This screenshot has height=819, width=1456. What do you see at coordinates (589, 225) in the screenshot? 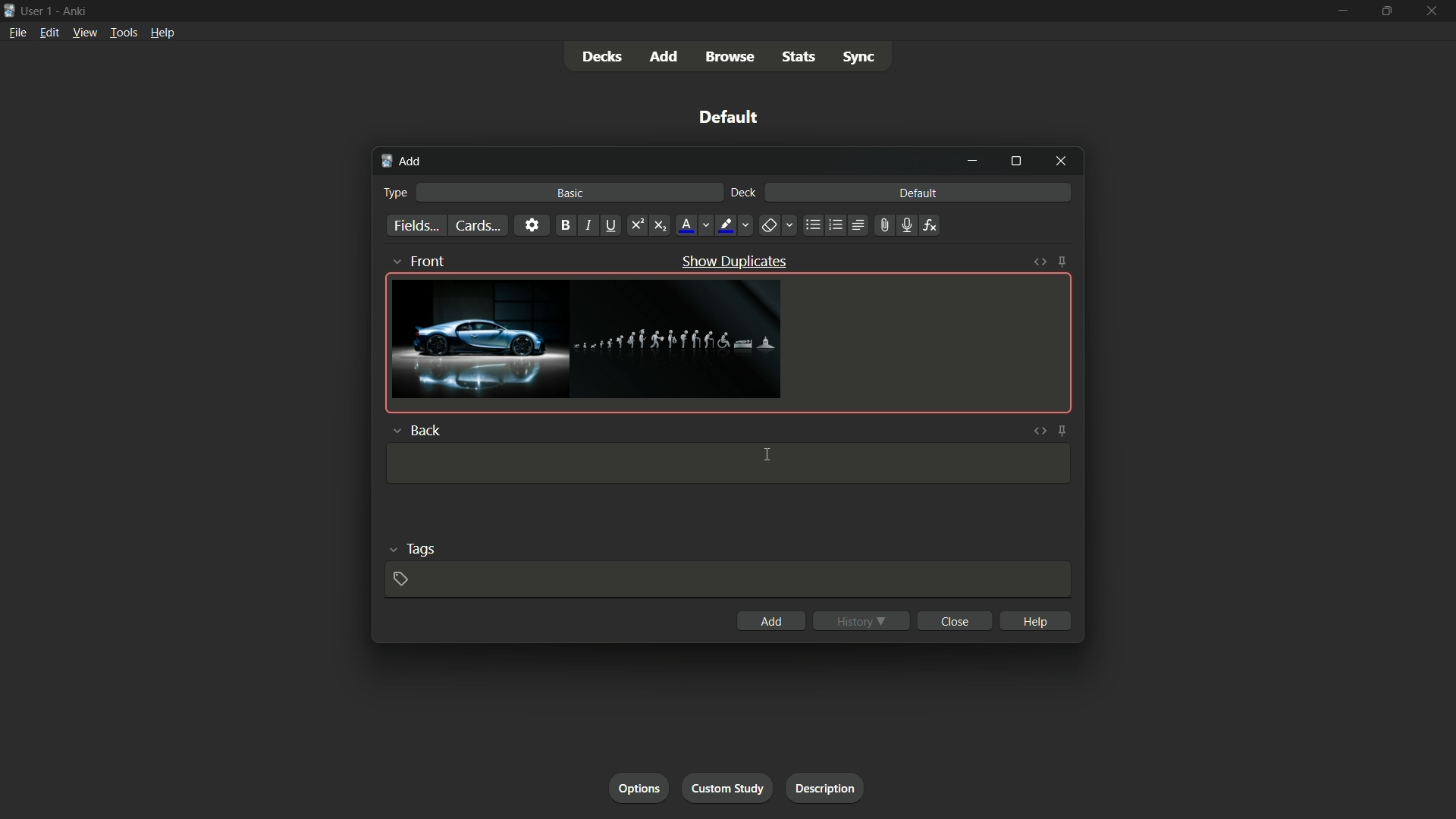
I see `italic` at bounding box center [589, 225].